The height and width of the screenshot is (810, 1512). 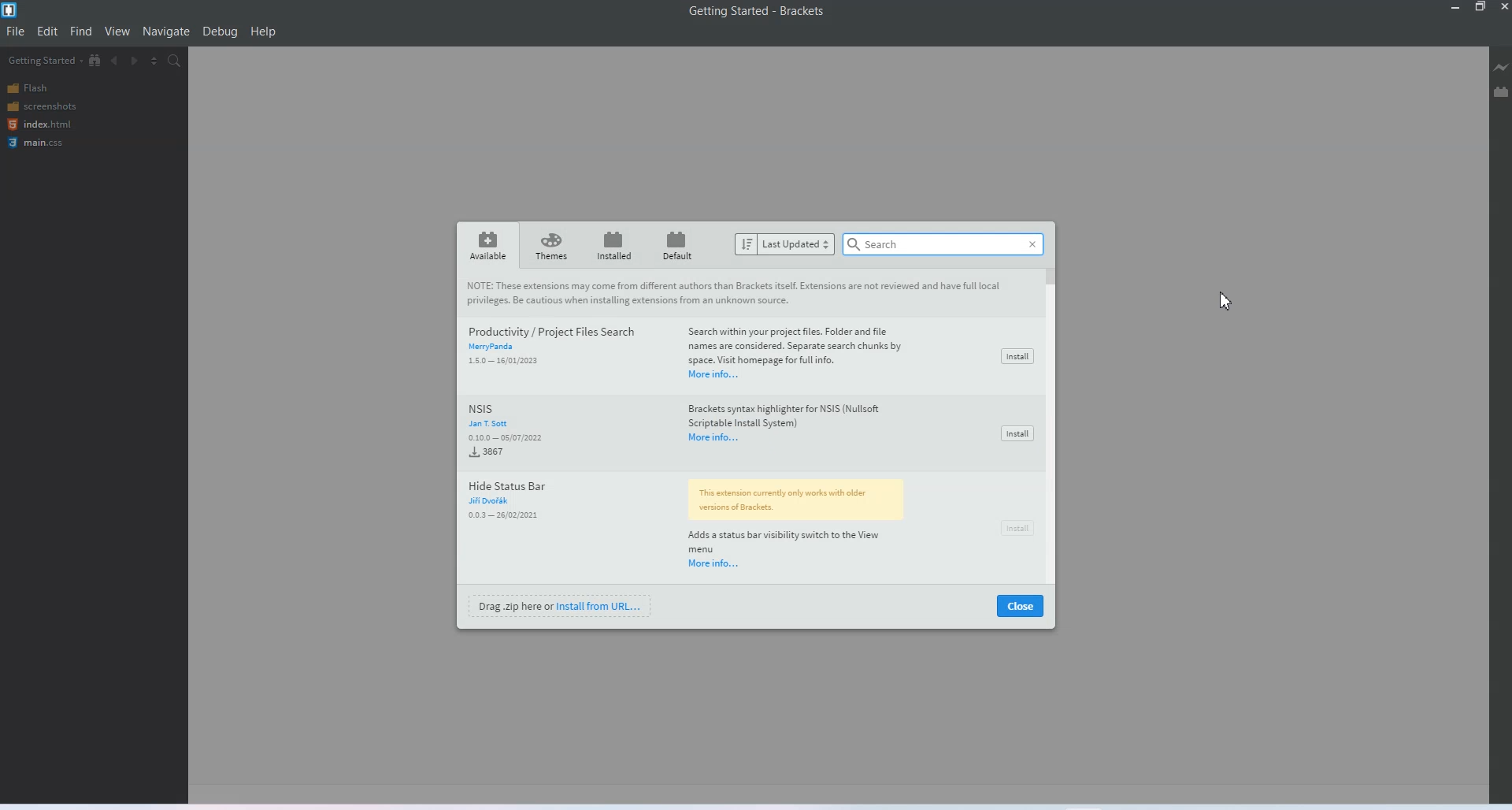 I want to click on More info..., so click(x=716, y=564).